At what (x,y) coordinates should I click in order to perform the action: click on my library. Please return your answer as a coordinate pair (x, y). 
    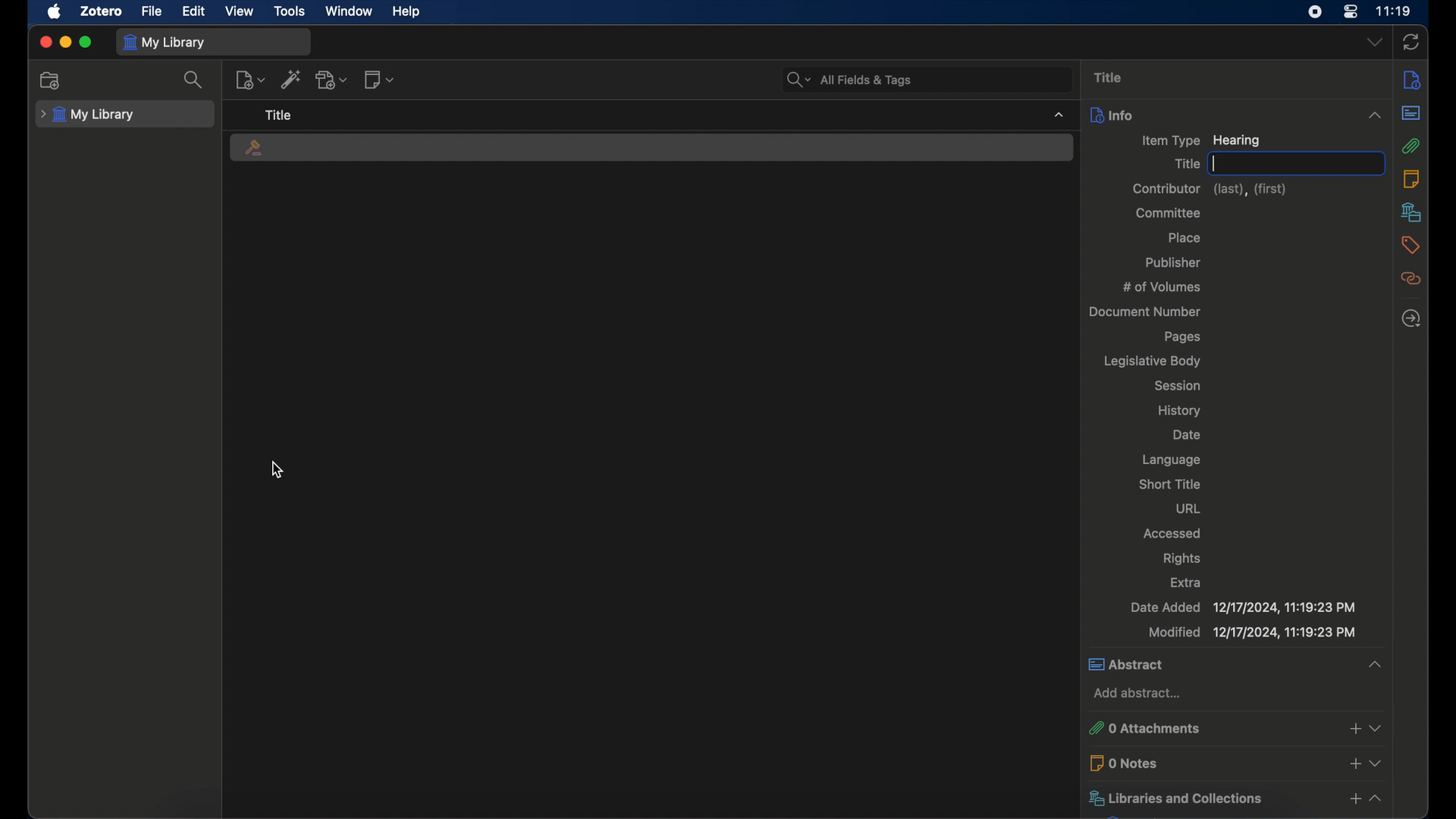
    Looking at the image, I should click on (165, 42).